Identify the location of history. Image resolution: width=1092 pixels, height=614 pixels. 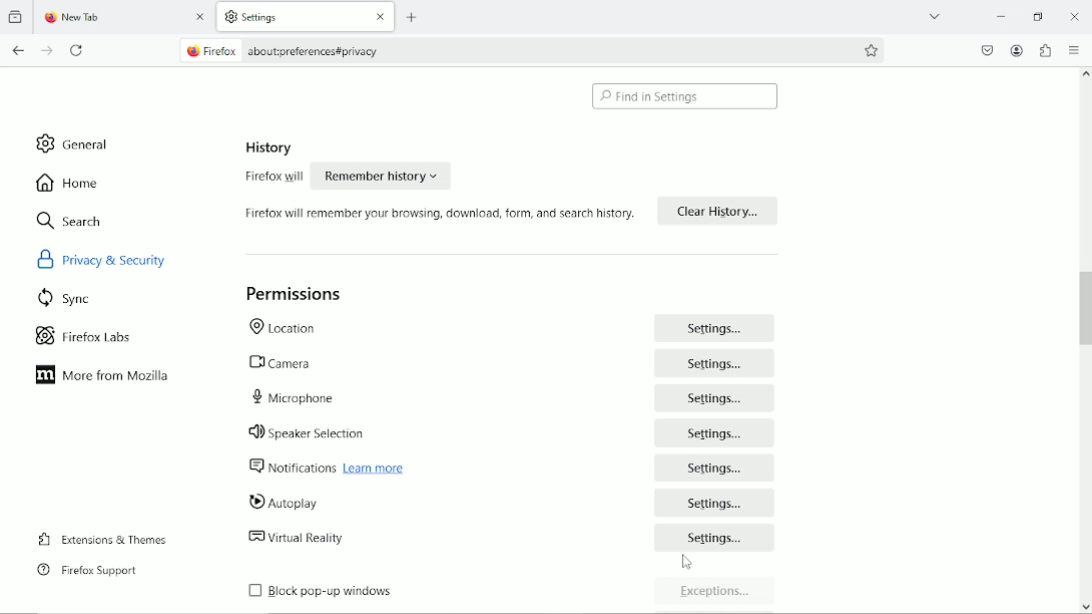
(268, 148).